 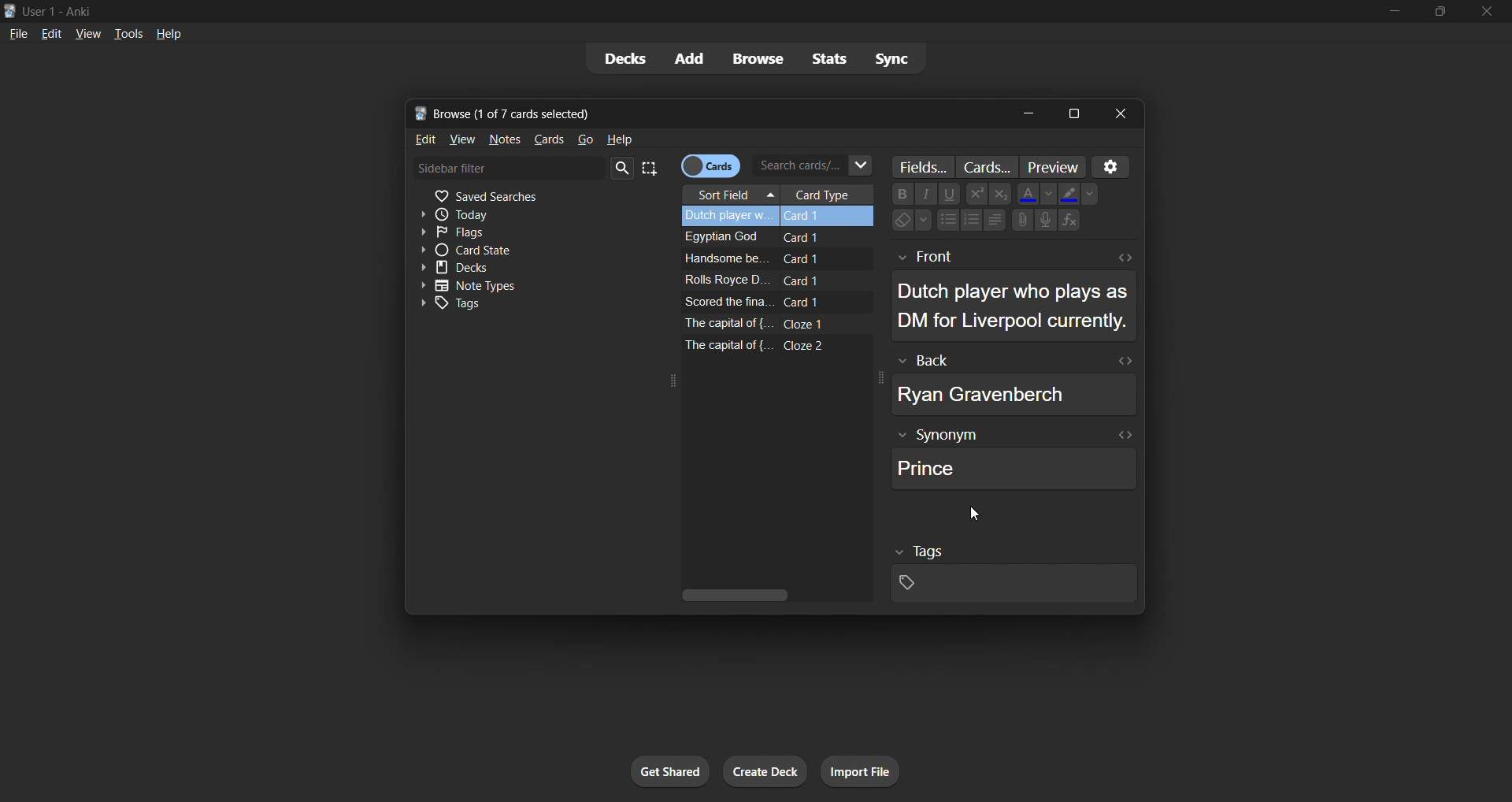 I want to click on Eraser, so click(x=897, y=222).